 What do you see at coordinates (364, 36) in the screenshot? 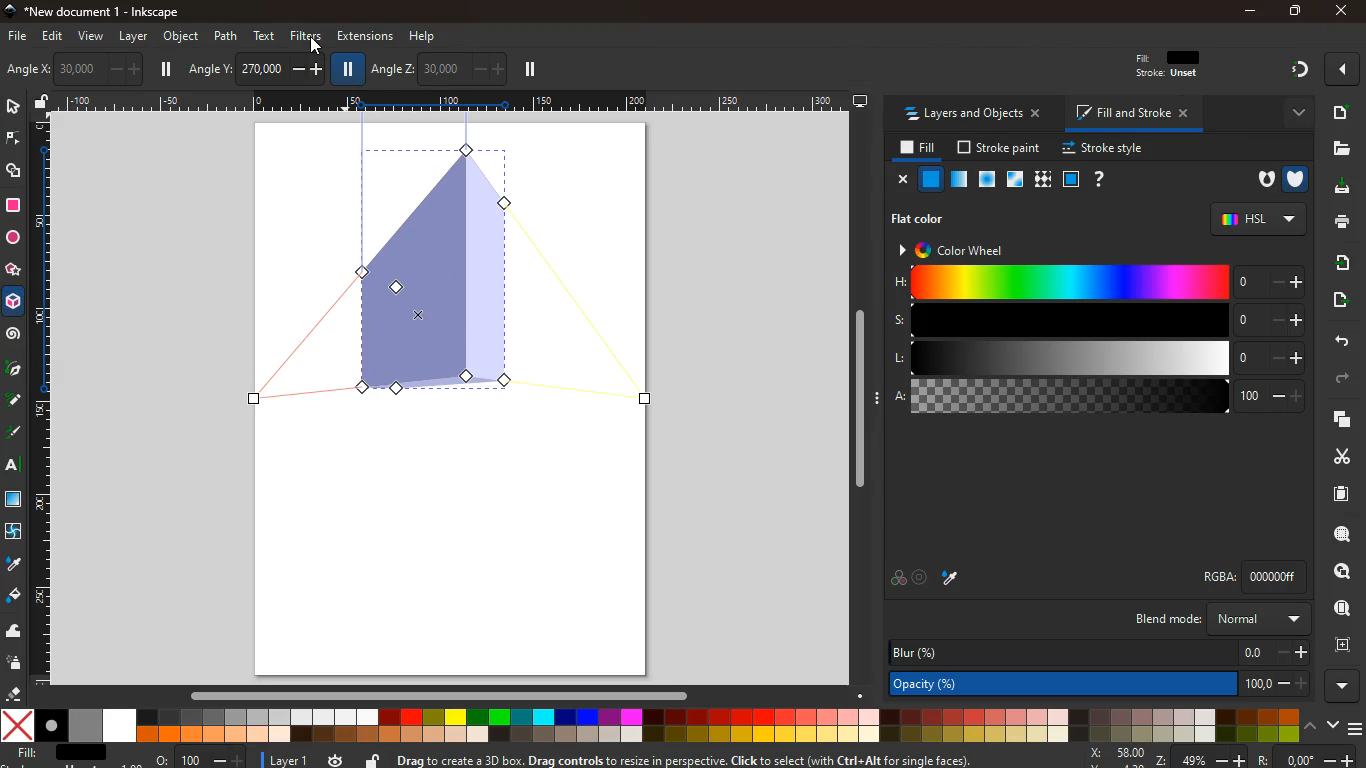
I see `extensions` at bounding box center [364, 36].